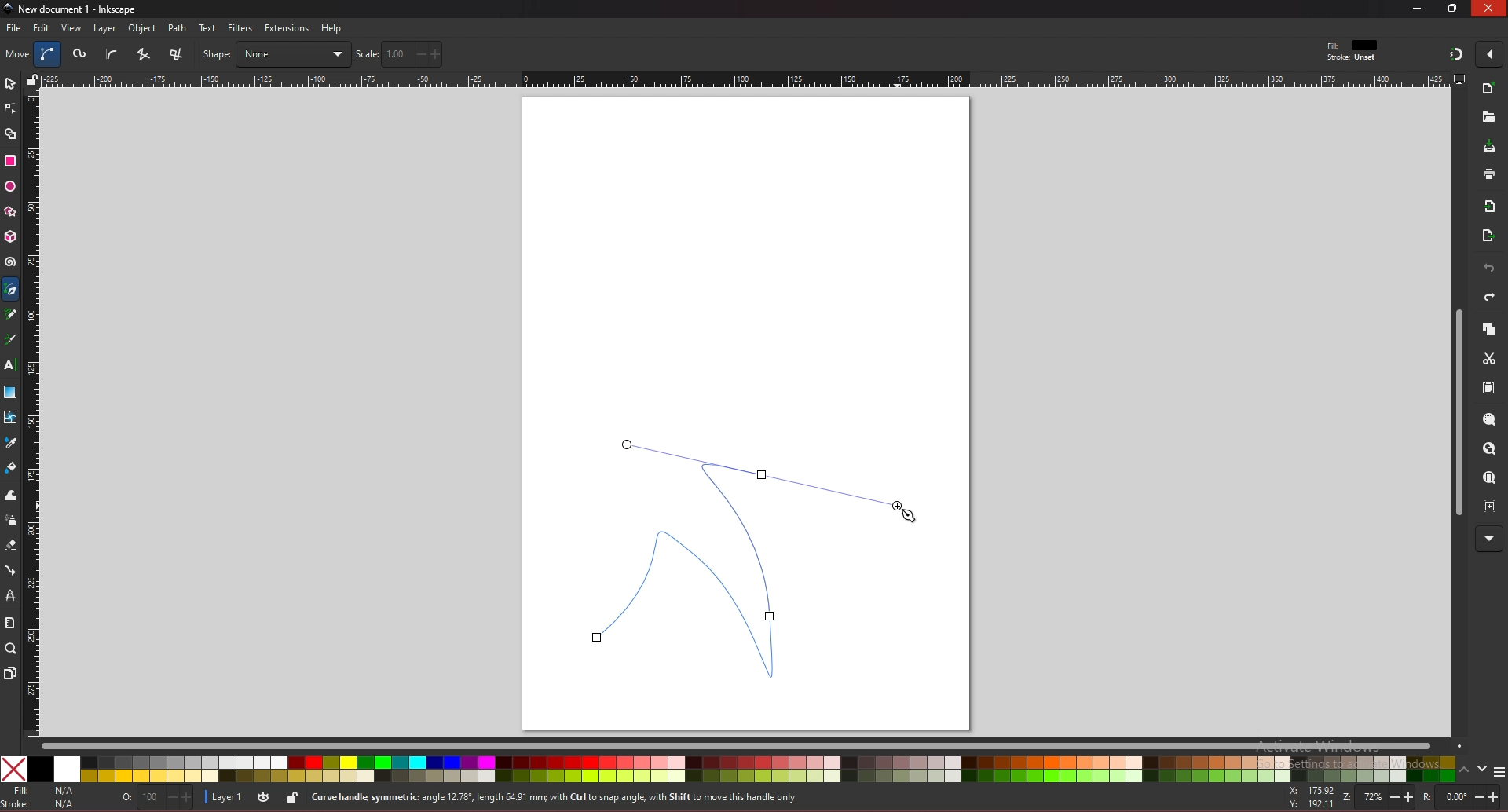  I want to click on shape builder, so click(11, 134).